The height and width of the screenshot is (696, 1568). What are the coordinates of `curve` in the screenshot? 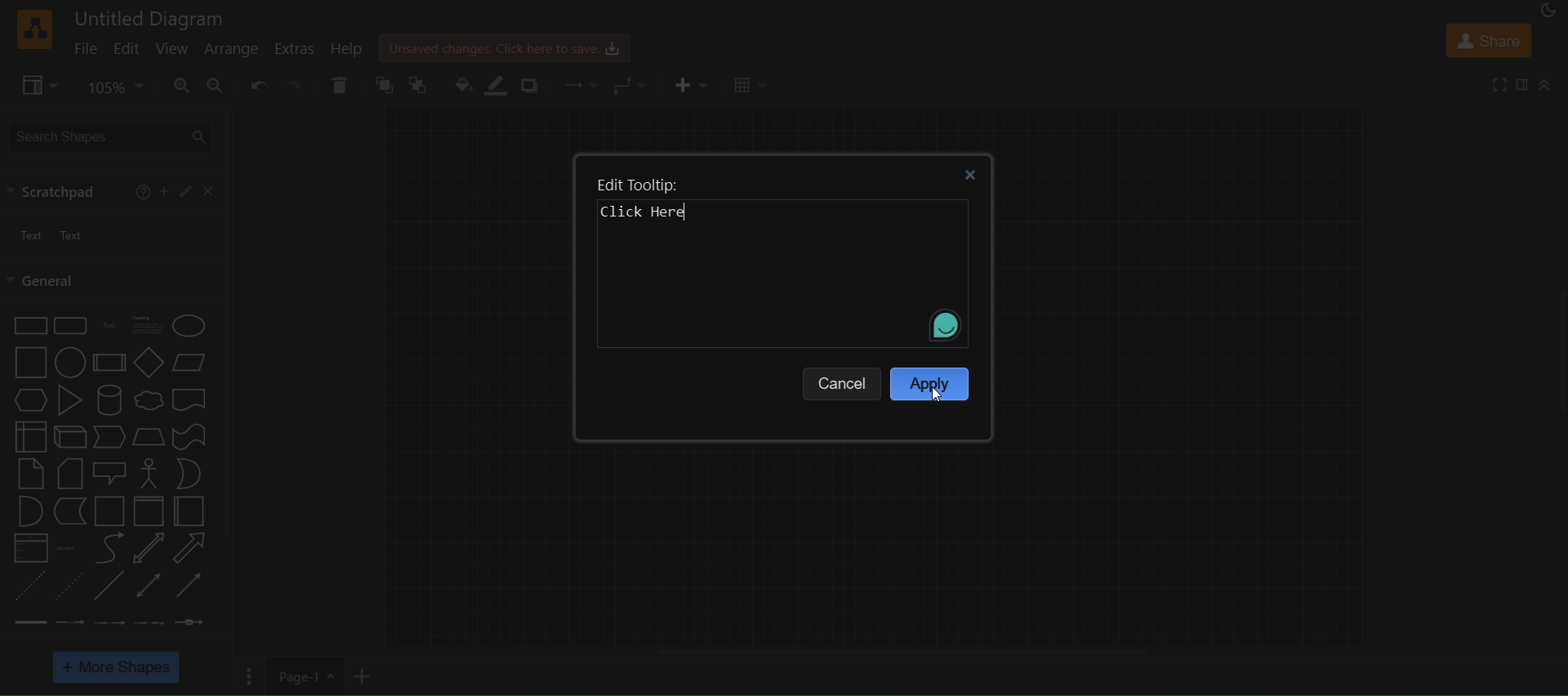 It's located at (107, 548).